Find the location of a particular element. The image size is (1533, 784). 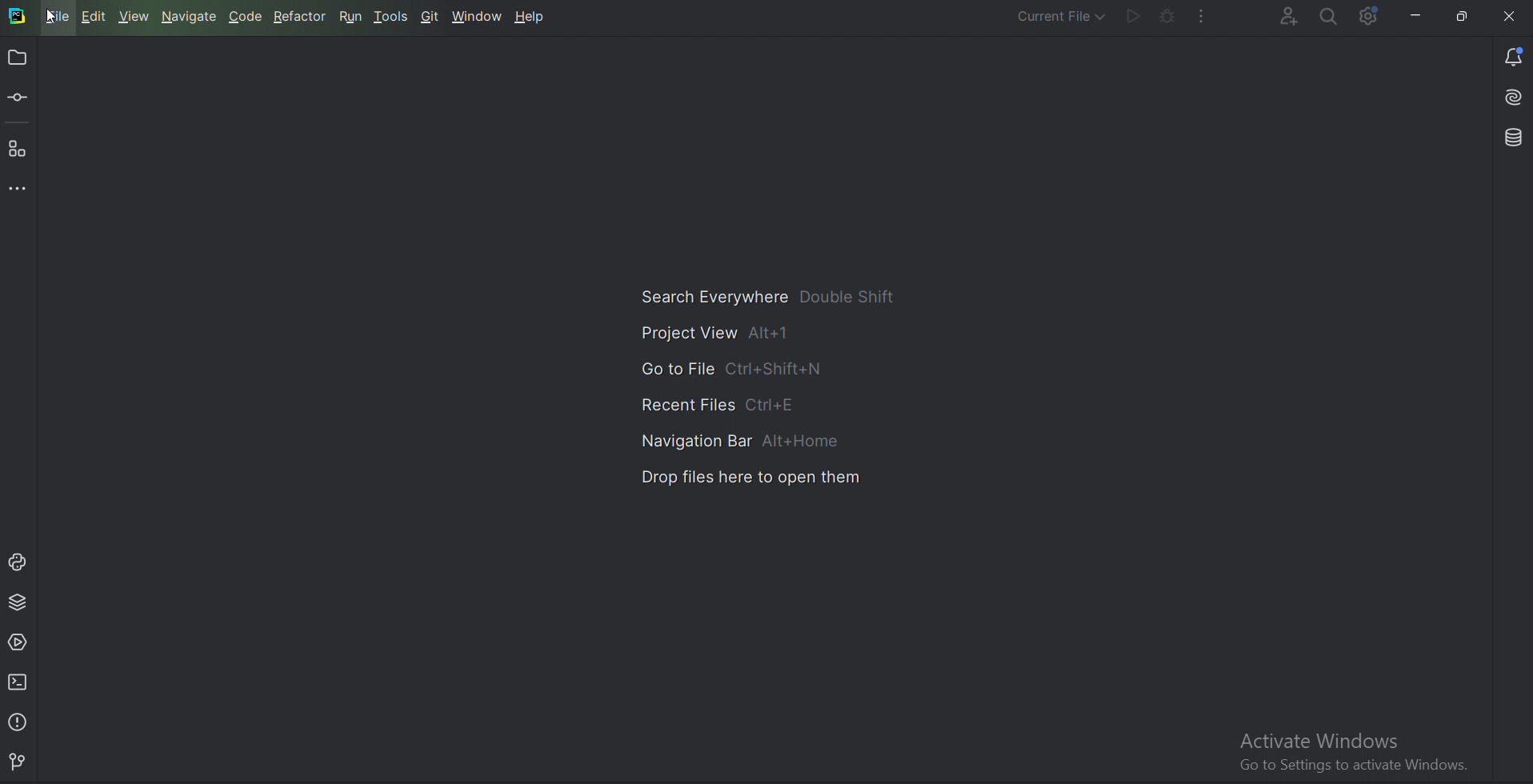

Go to File Ctrl+Shift+N is located at coordinates (738, 370).